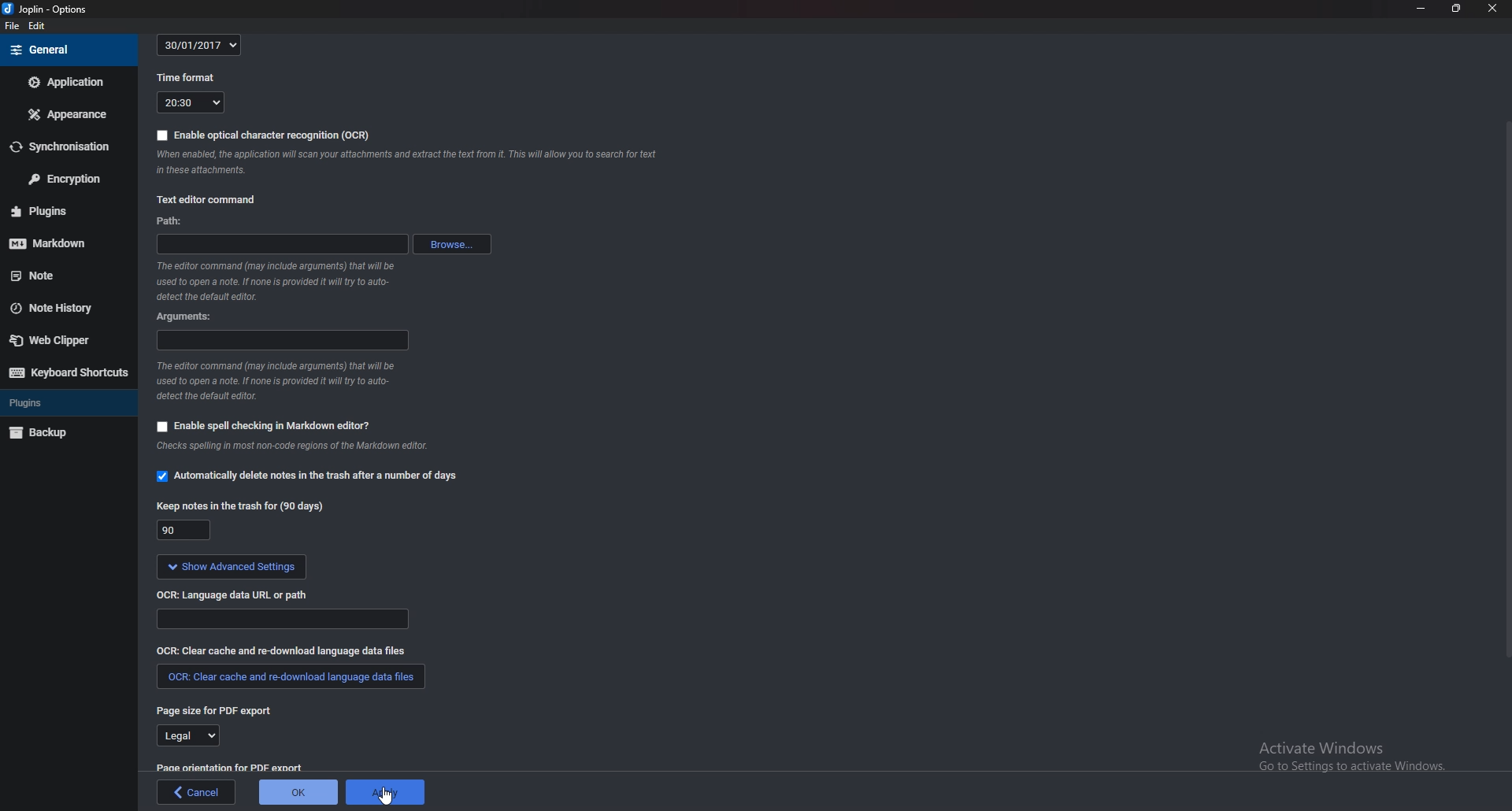  I want to click on path, so click(171, 220).